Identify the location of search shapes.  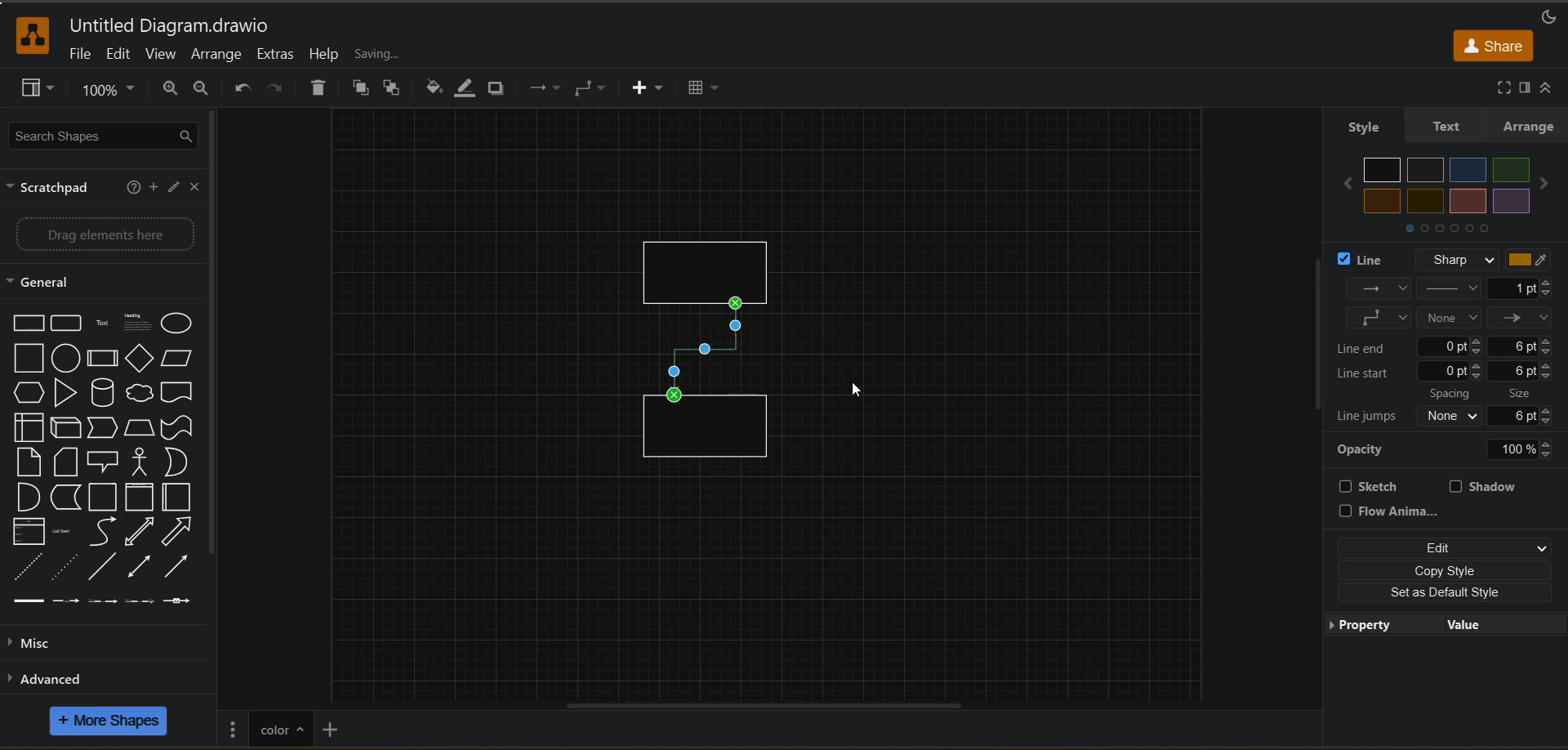
(105, 137).